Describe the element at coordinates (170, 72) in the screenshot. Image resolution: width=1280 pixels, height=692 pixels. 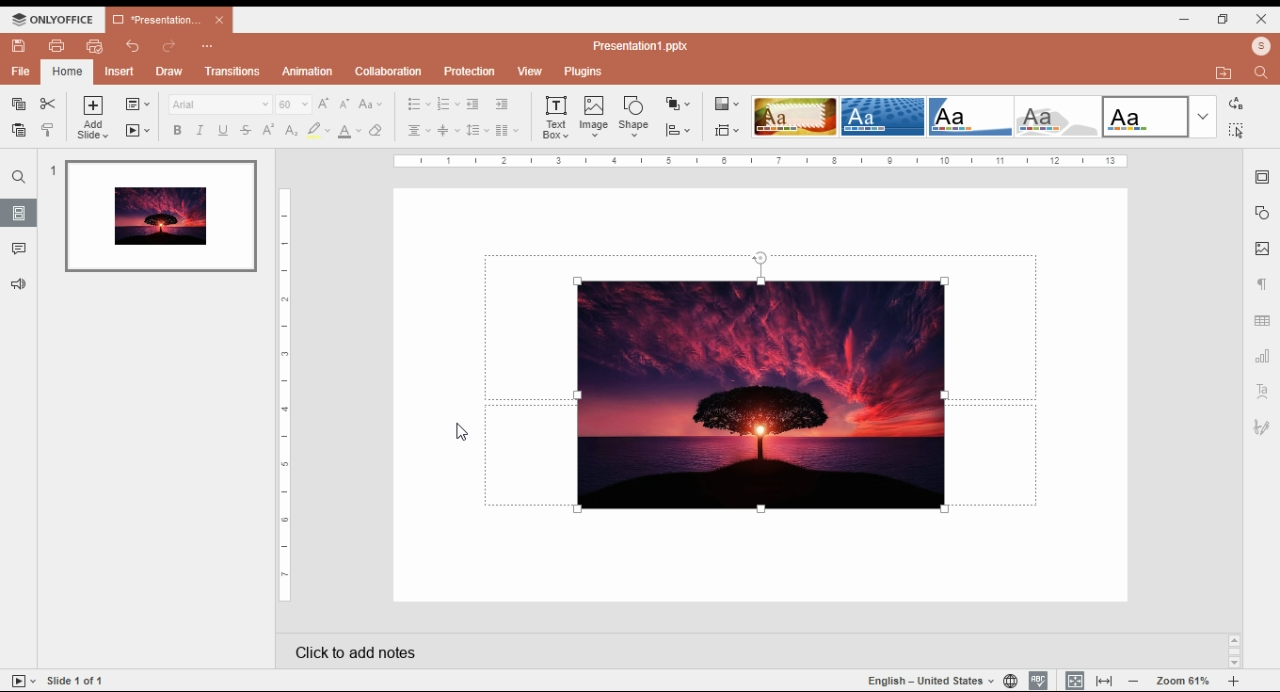
I see `draw` at that location.